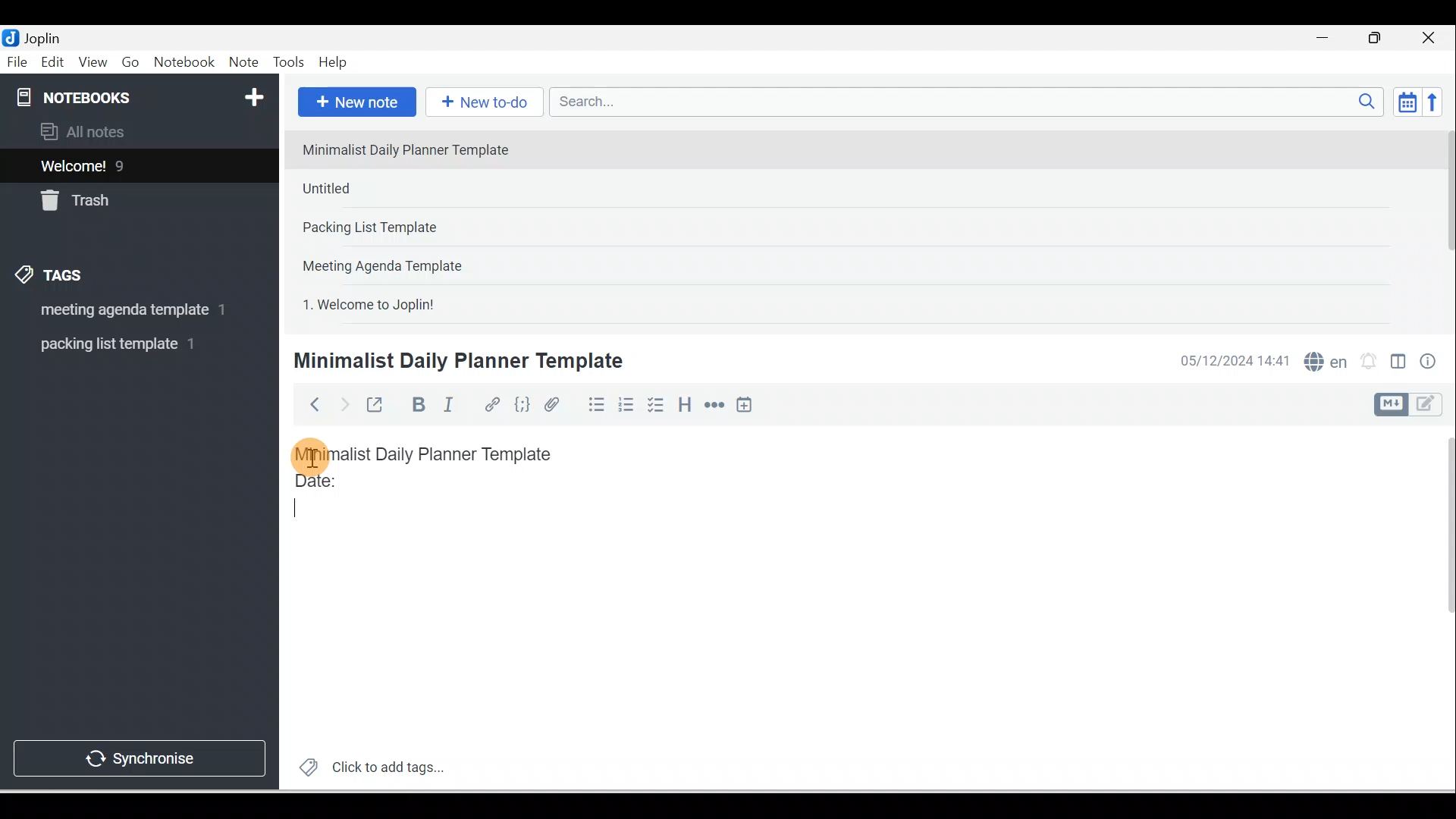 This screenshot has height=819, width=1456. Describe the element at coordinates (46, 36) in the screenshot. I see `Joplin` at that location.